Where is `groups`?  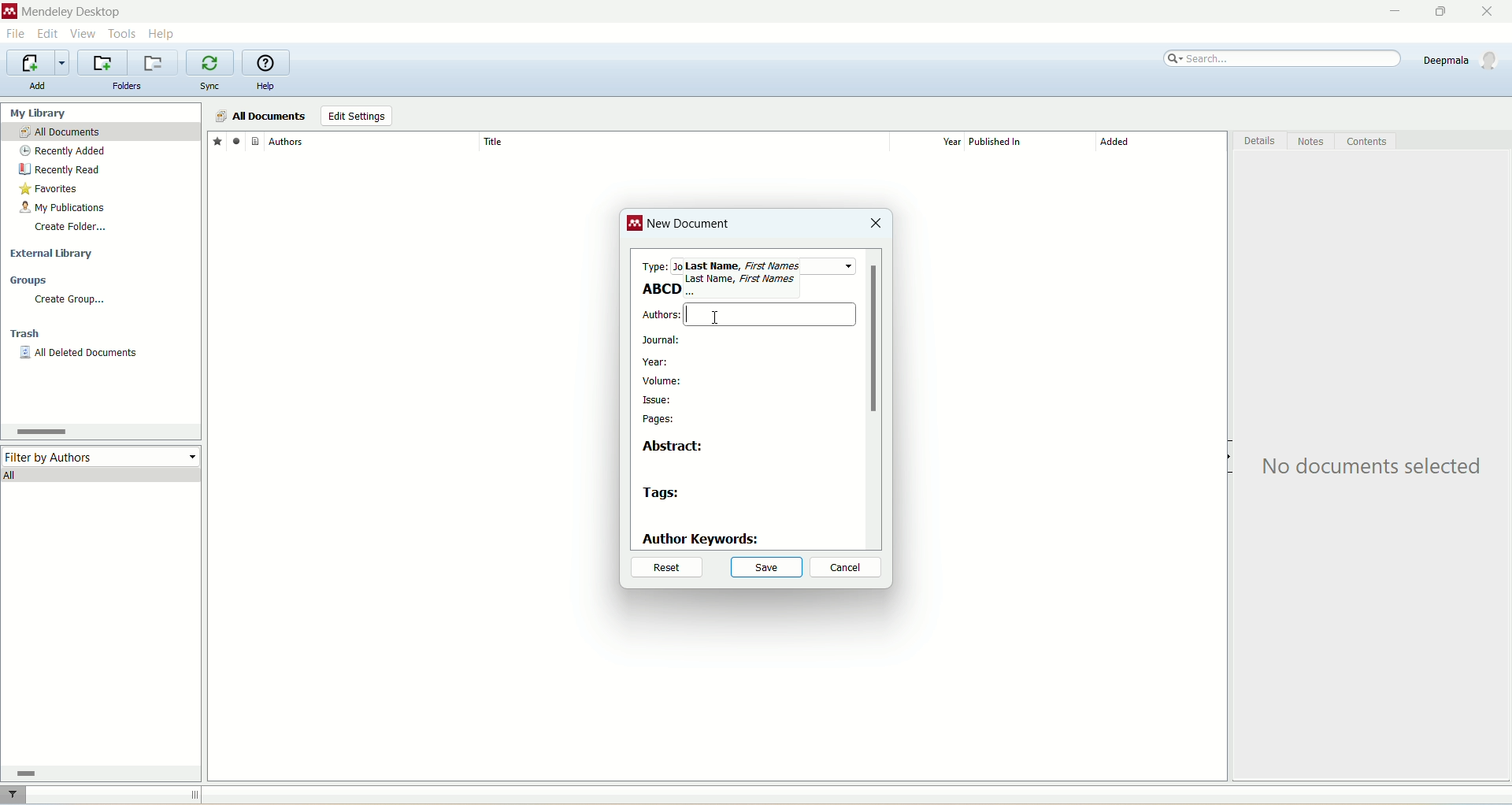 groups is located at coordinates (30, 281).